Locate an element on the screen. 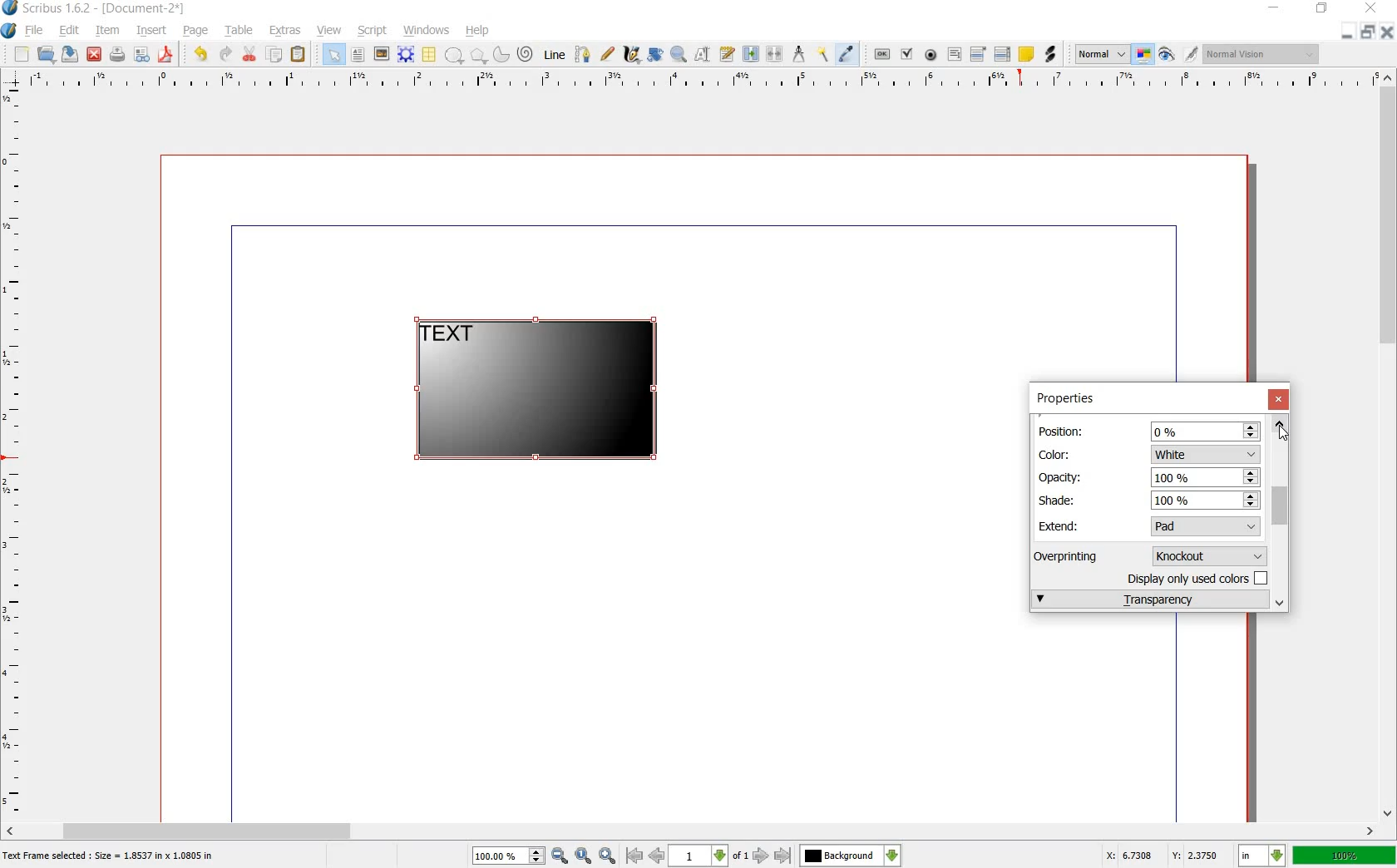  extras is located at coordinates (285, 31).